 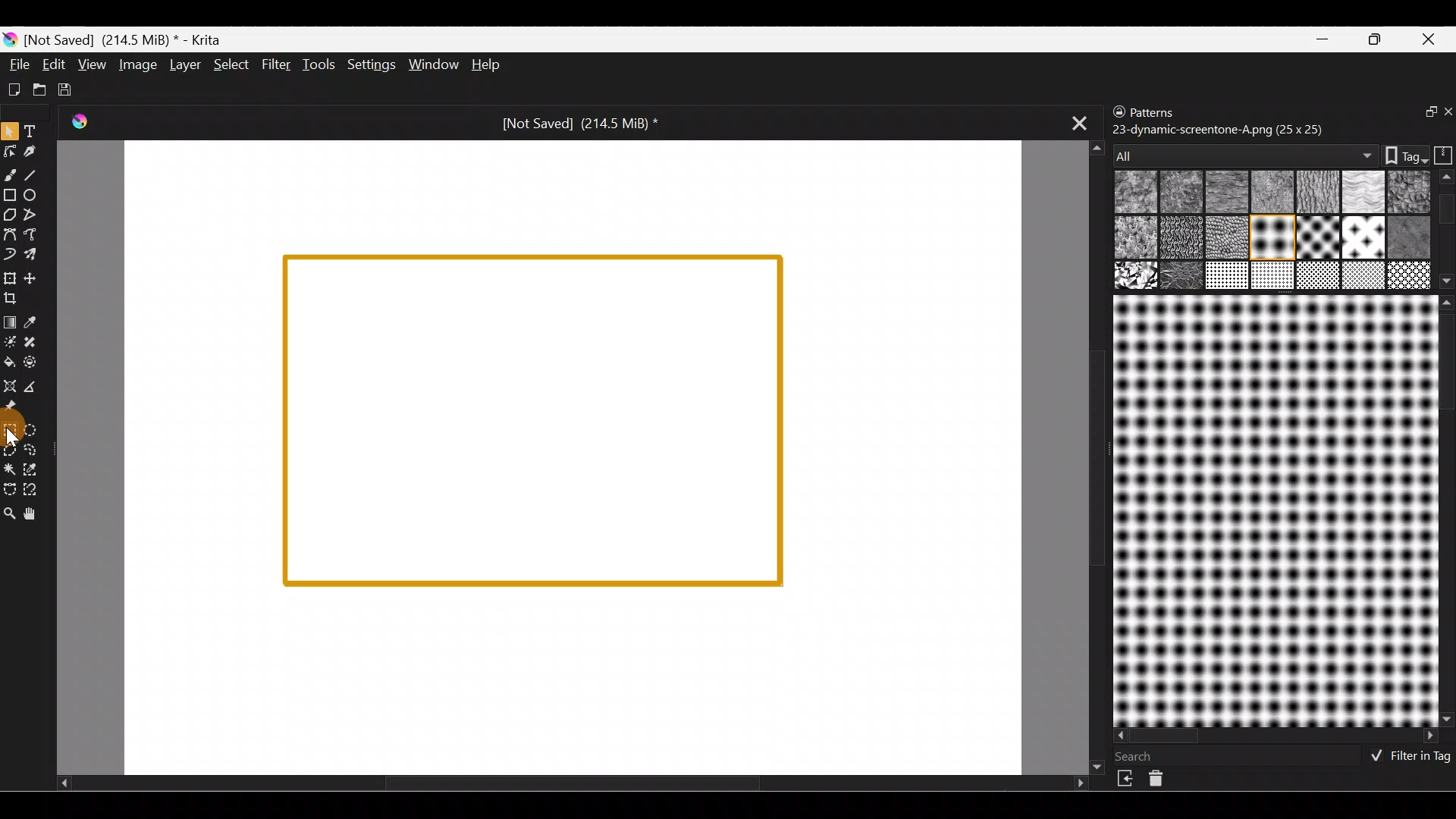 I want to click on Edit, so click(x=53, y=66).